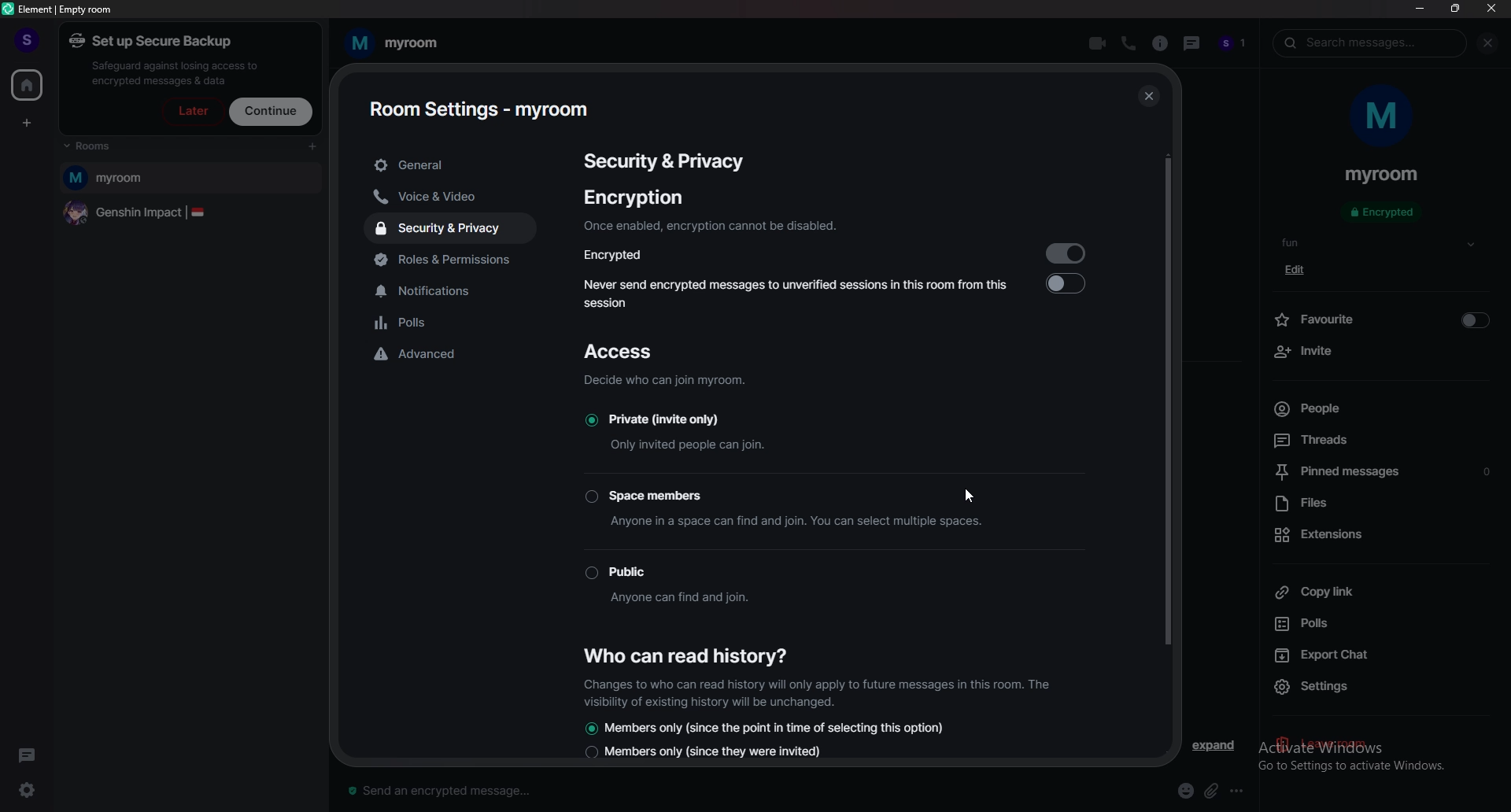 The height and width of the screenshot is (812, 1511). I want to click on m, so click(1384, 121).